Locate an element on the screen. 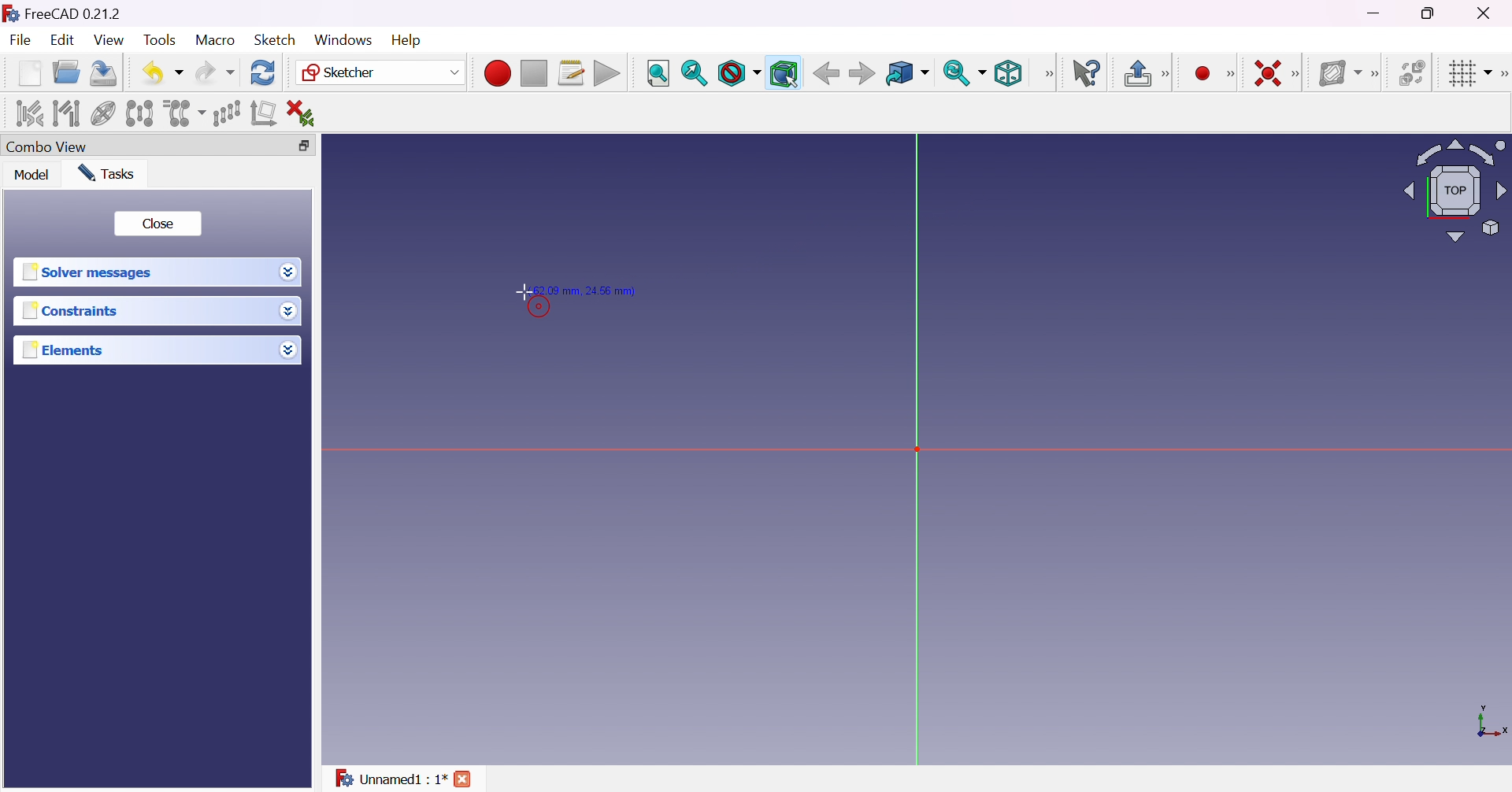 Image resolution: width=1512 pixels, height=792 pixels. Tools is located at coordinates (161, 40).